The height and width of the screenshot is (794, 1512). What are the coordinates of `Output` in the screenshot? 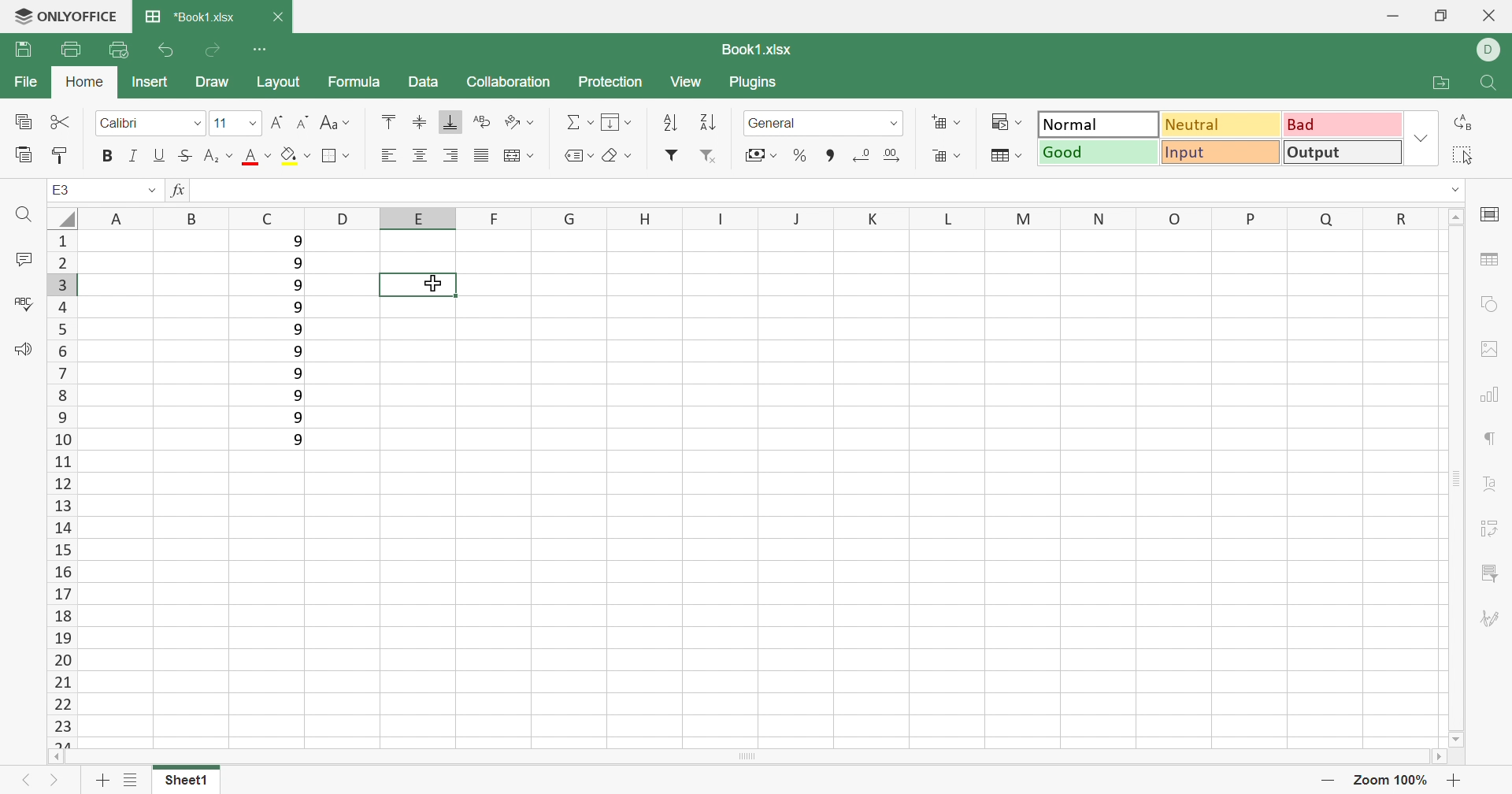 It's located at (1341, 153).